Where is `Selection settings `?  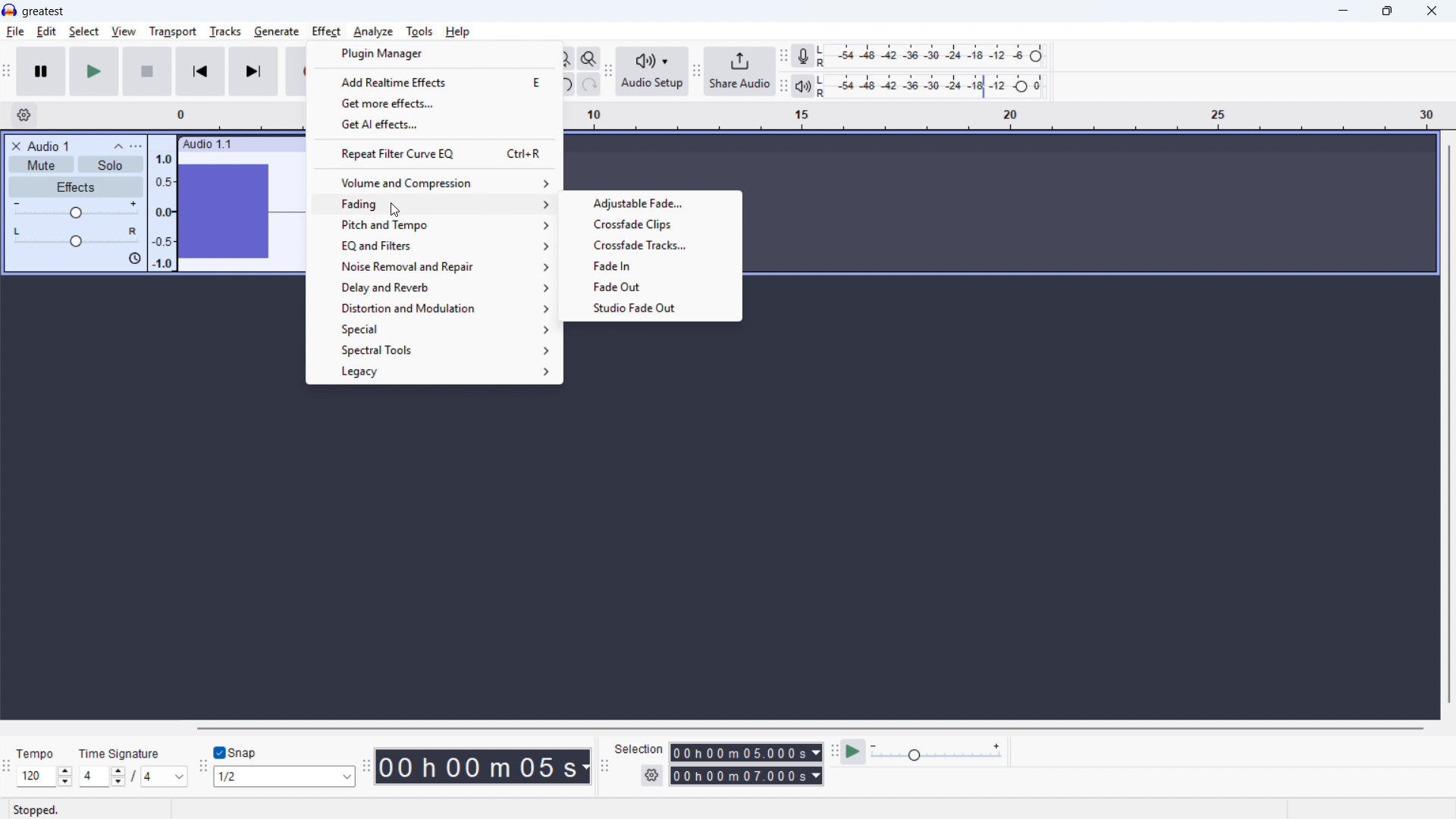
Selection settings  is located at coordinates (653, 775).